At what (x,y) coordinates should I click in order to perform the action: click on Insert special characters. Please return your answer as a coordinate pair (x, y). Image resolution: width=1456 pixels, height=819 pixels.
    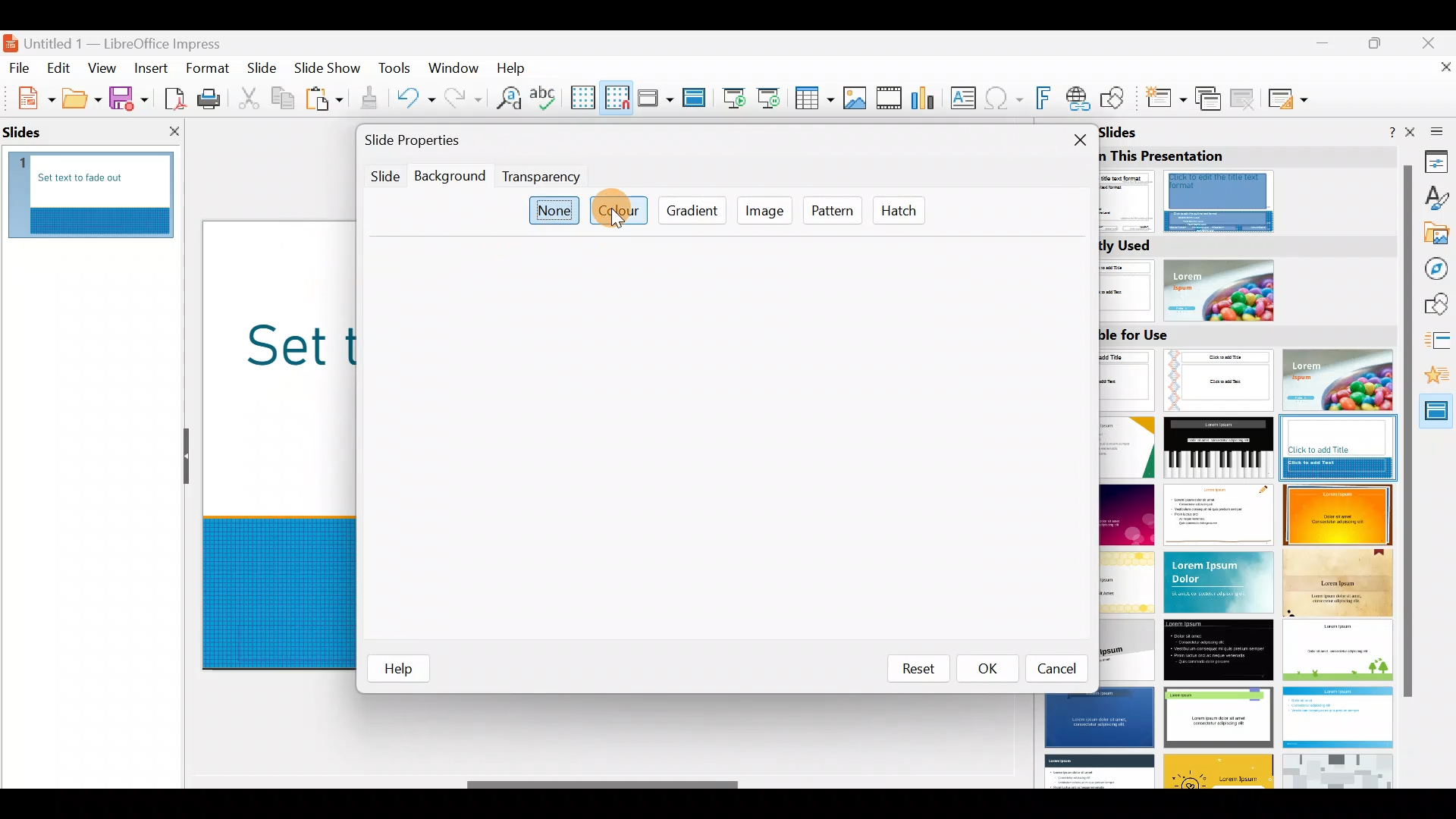
    Looking at the image, I should click on (1006, 100).